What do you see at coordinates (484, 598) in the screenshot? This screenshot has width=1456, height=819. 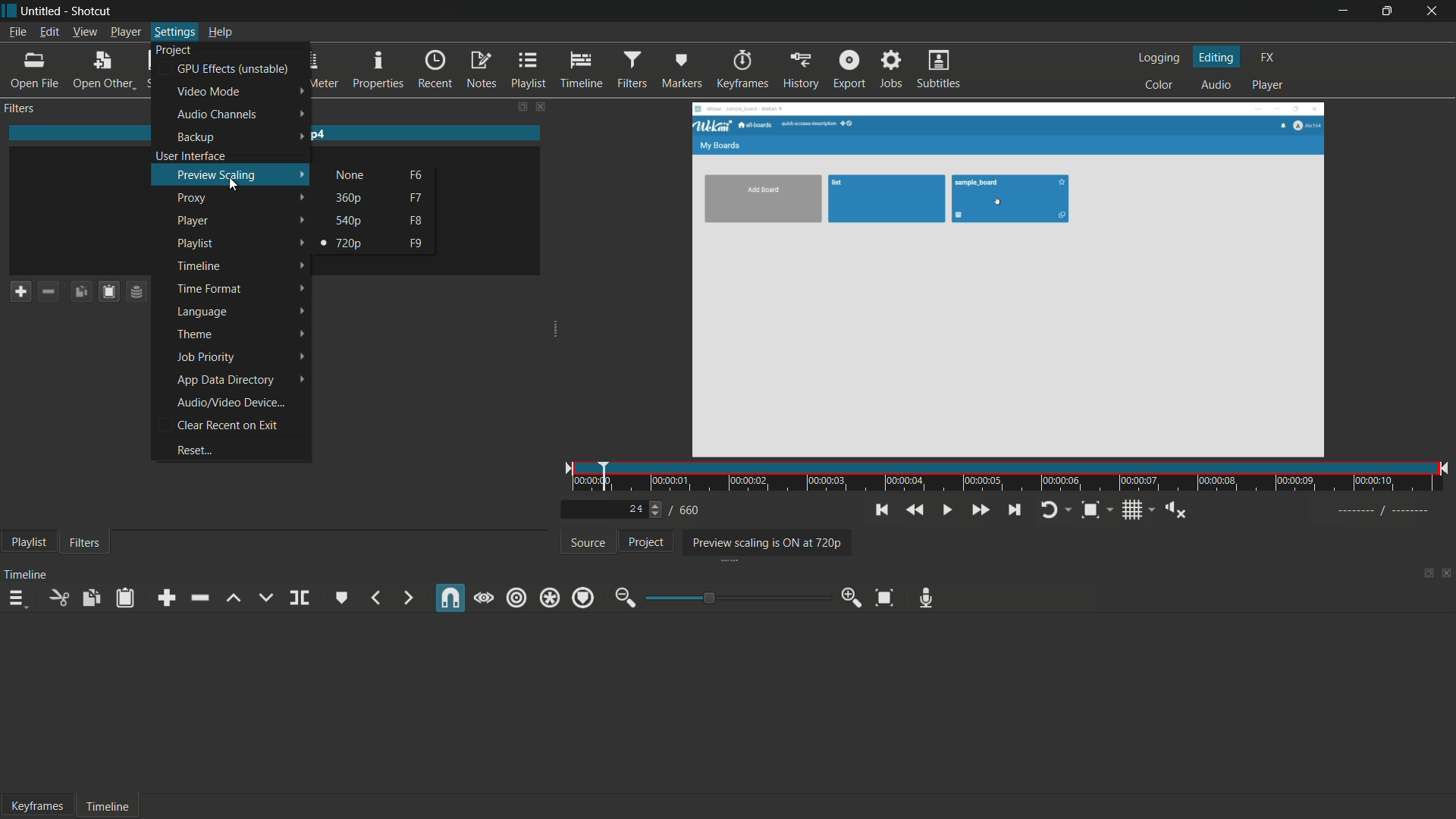 I see `scrub while dragging` at bounding box center [484, 598].